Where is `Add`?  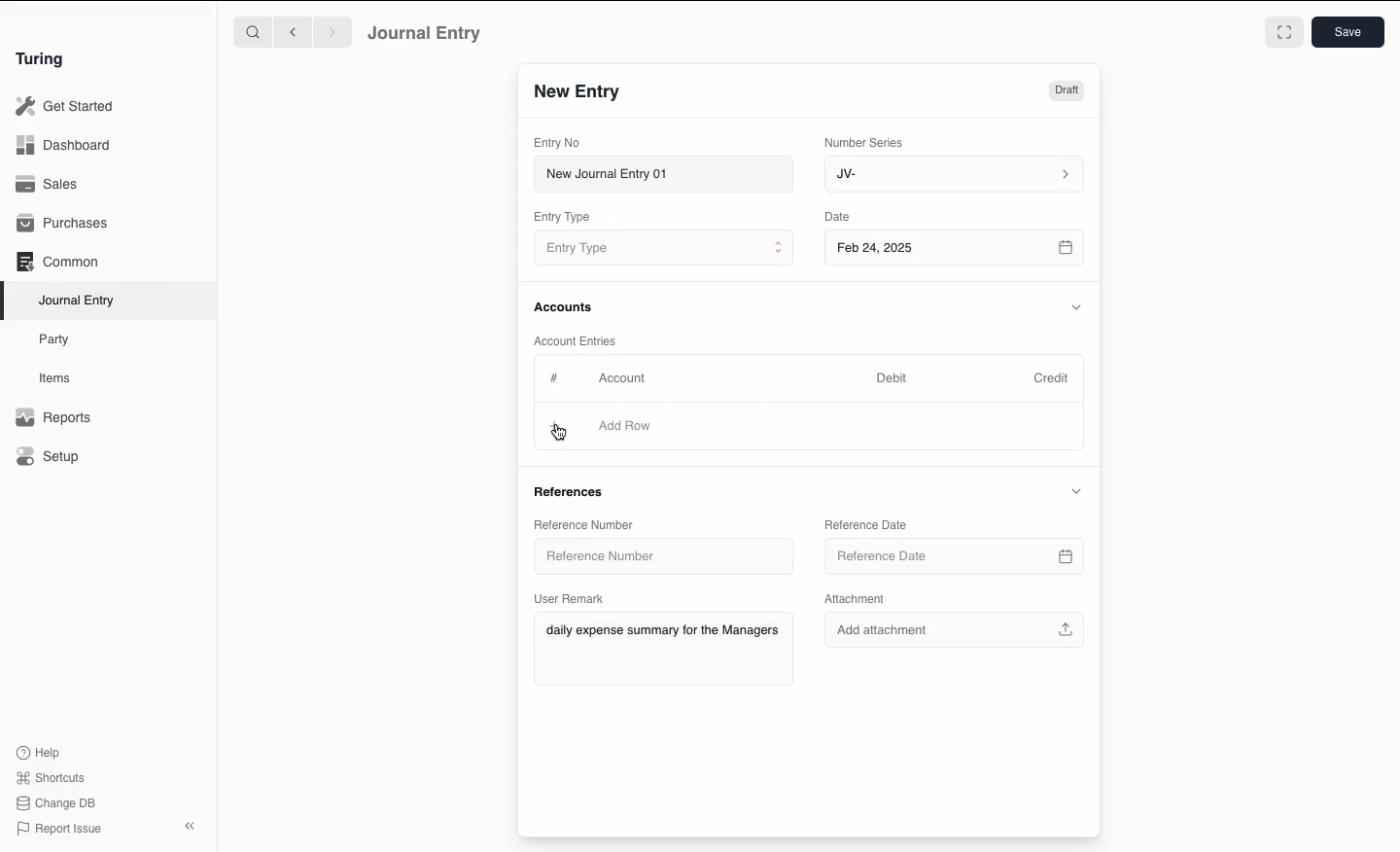 Add is located at coordinates (555, 426).